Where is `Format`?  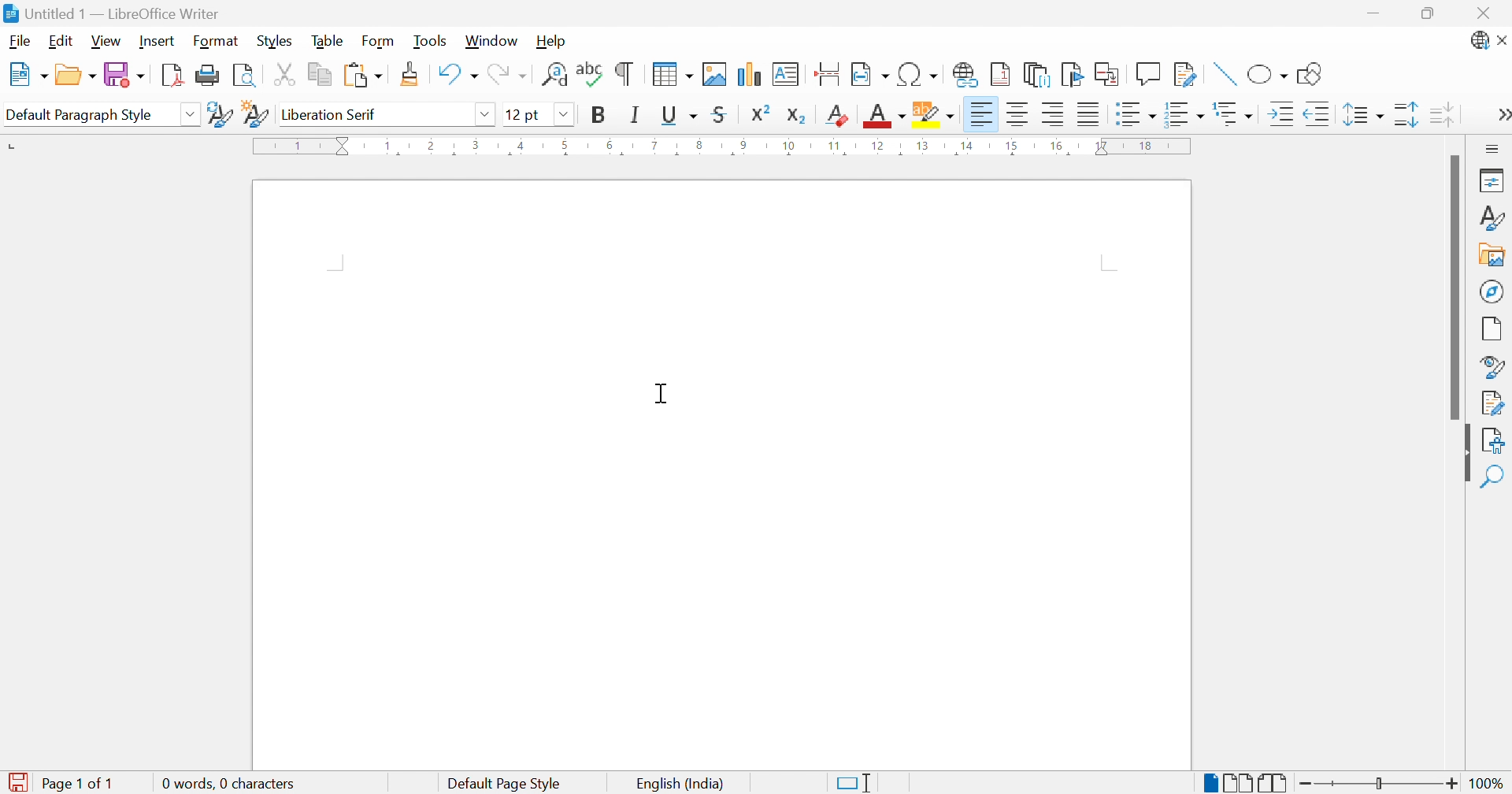 Format is located at coordinates (217, 42).